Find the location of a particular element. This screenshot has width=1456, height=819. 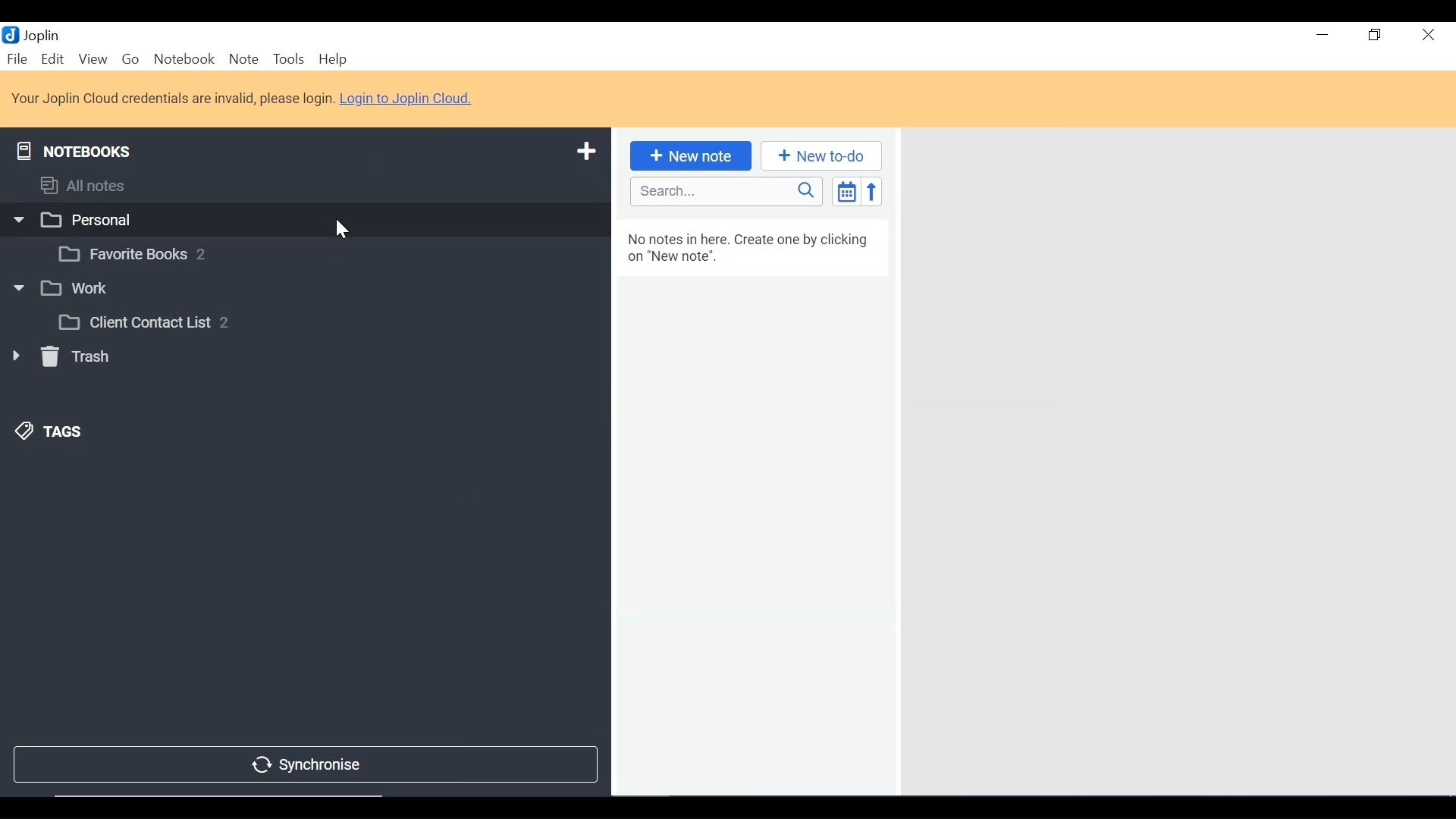

Notebooks is located at coordinates (74, 148).